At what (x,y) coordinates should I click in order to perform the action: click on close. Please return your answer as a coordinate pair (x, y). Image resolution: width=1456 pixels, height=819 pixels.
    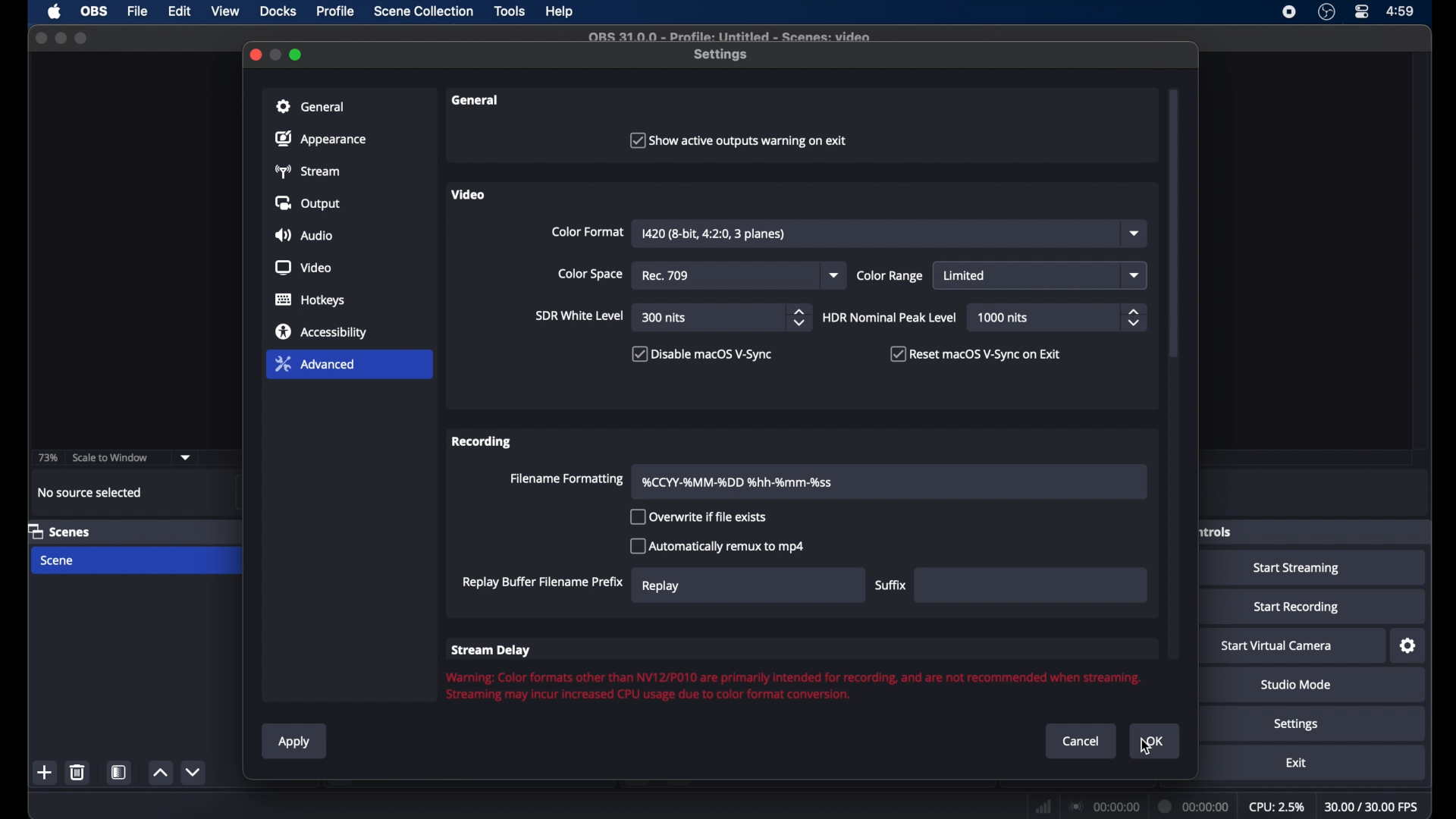
    Looking at the image, I should click on (256, 55).